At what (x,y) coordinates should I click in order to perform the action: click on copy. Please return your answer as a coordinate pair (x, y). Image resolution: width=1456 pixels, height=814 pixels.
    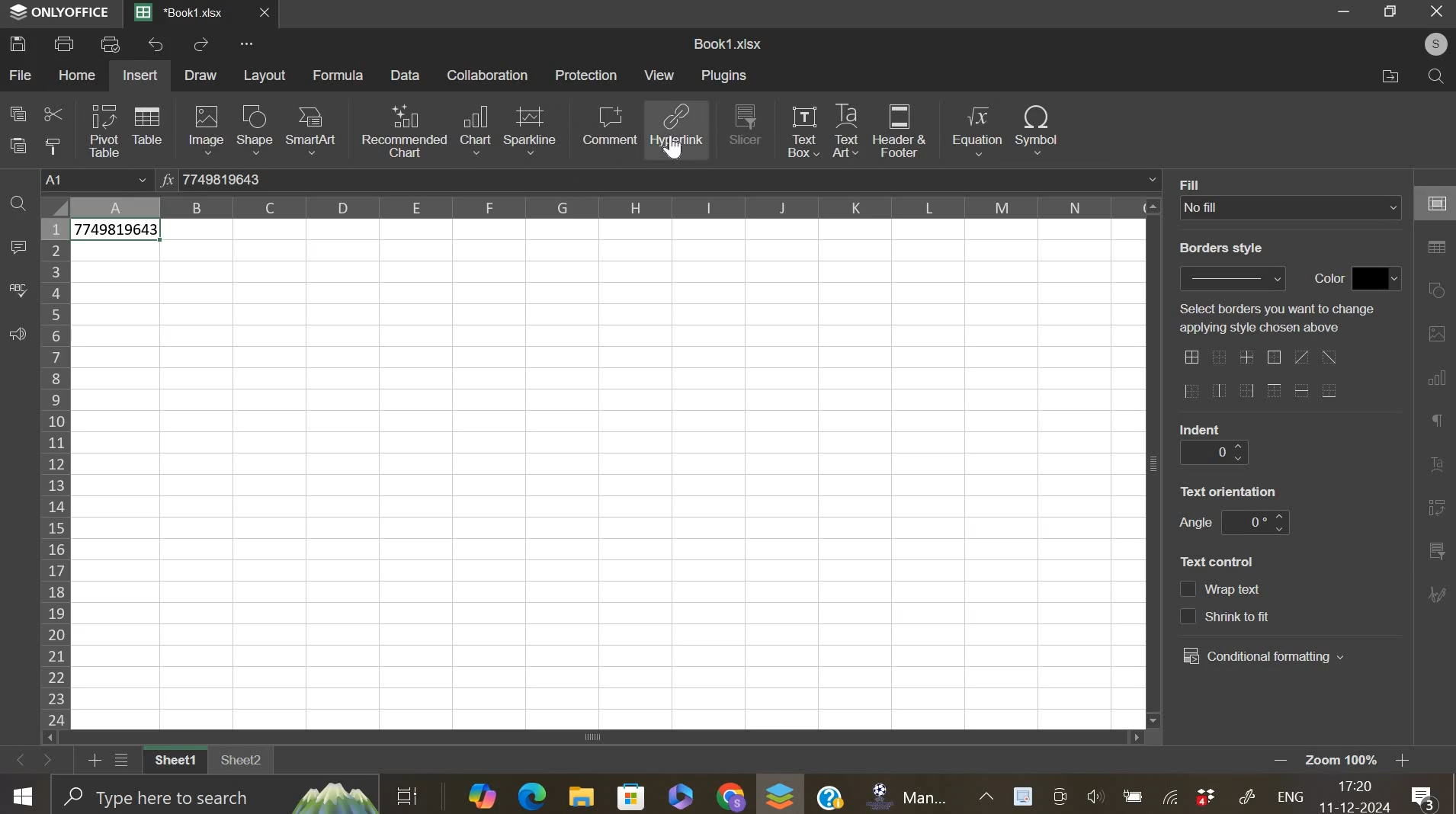
    Looking at the image, I should click on (18, 113).